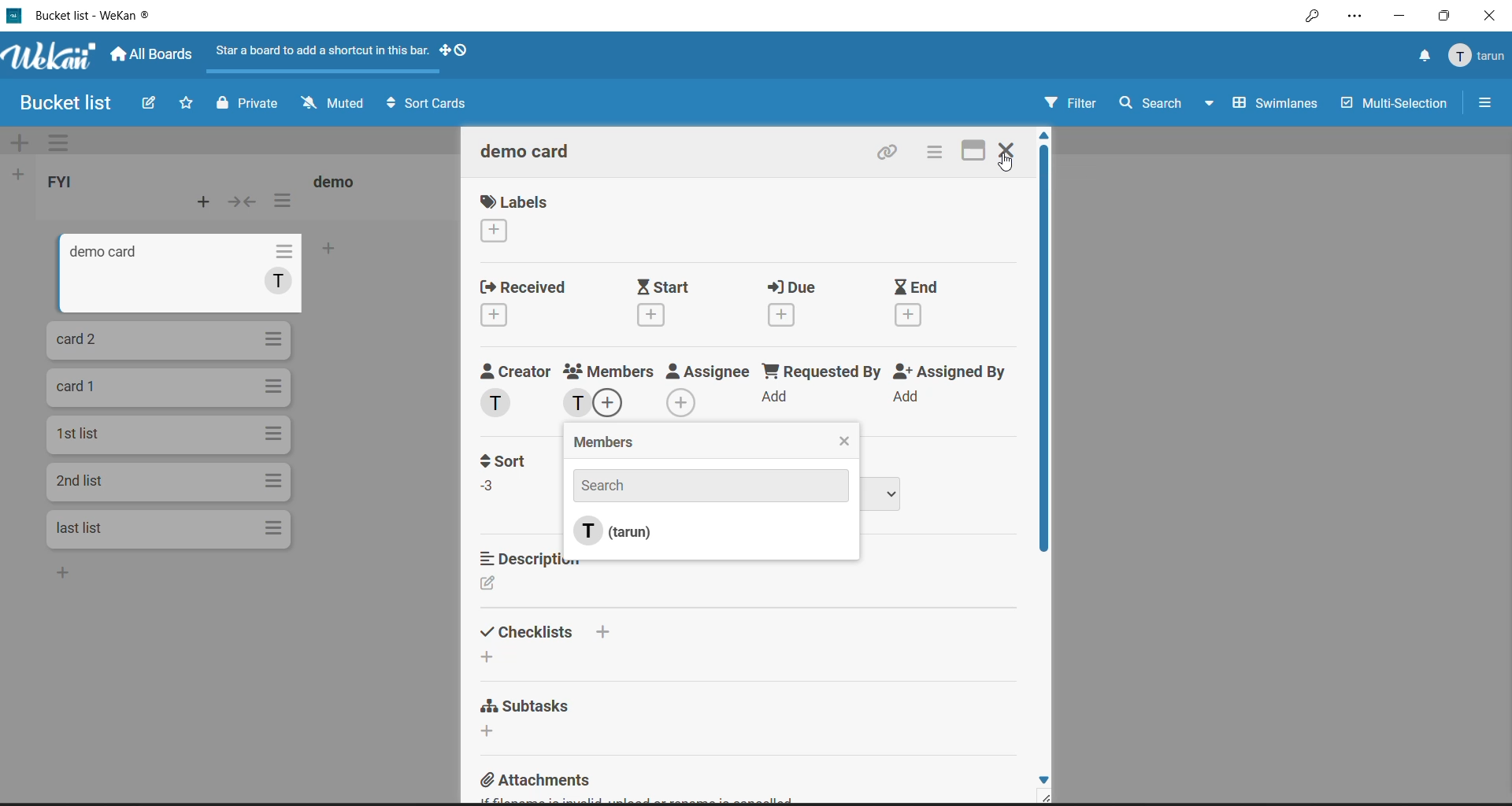 This screenshot has height=806, width=1512. I want to click on settings and more, so click(1354, 17).